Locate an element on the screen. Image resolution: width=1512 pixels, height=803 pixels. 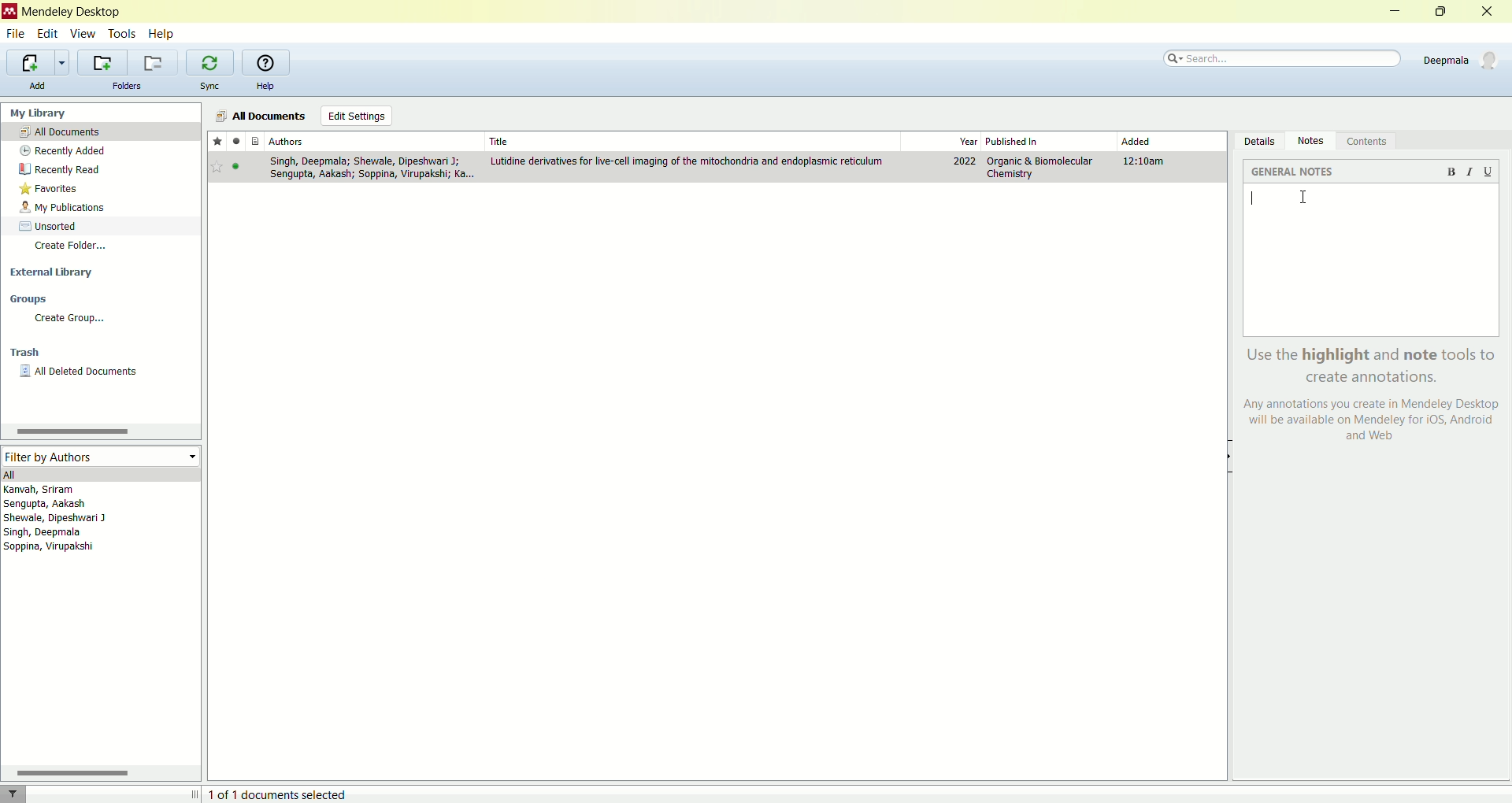
1 of 1 documents selected is located at coordinates (285, 791).